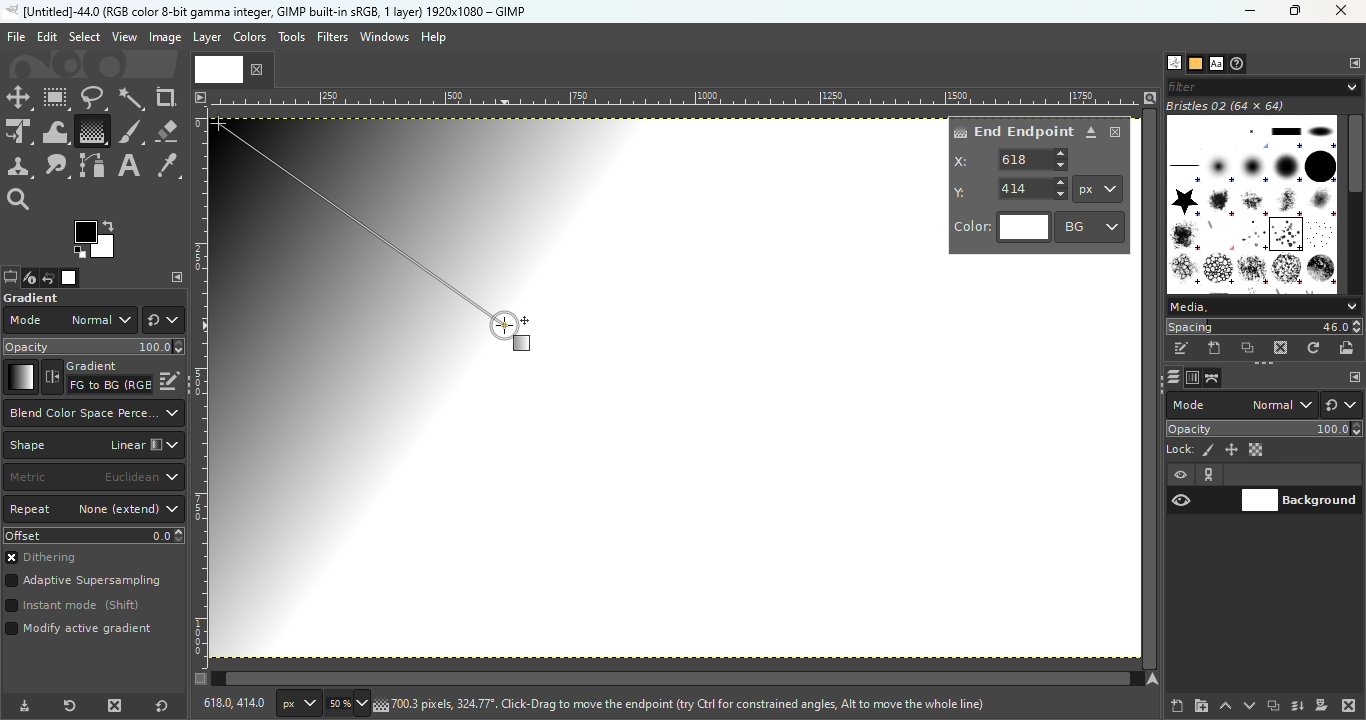  What do you see at coordinates (1202, 488) in the screenshot?
I see `View/Hide` at bounding box center [1202, 488].